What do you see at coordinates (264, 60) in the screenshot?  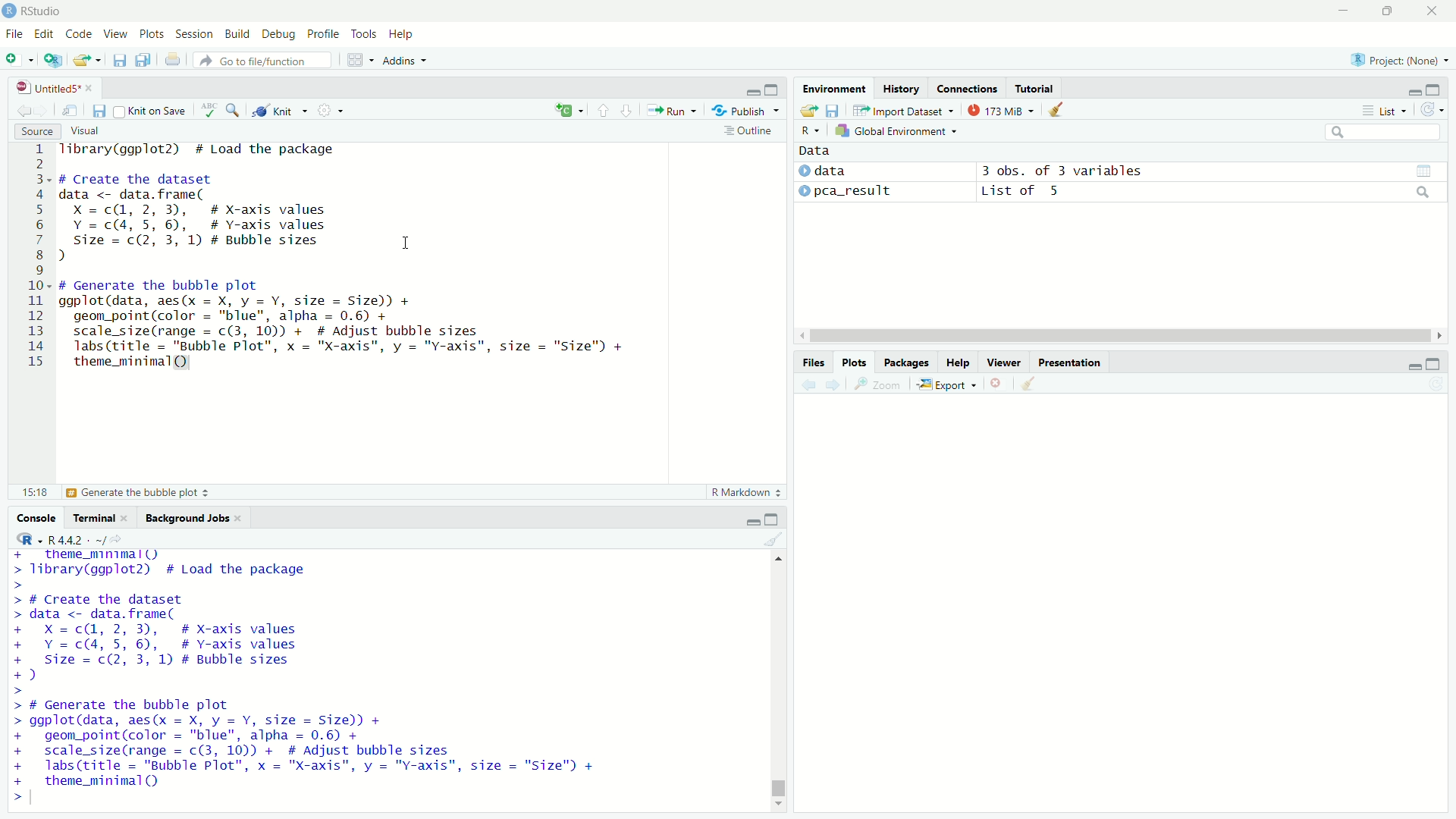 I see `go to file/function` at bounding box center [264, 60].